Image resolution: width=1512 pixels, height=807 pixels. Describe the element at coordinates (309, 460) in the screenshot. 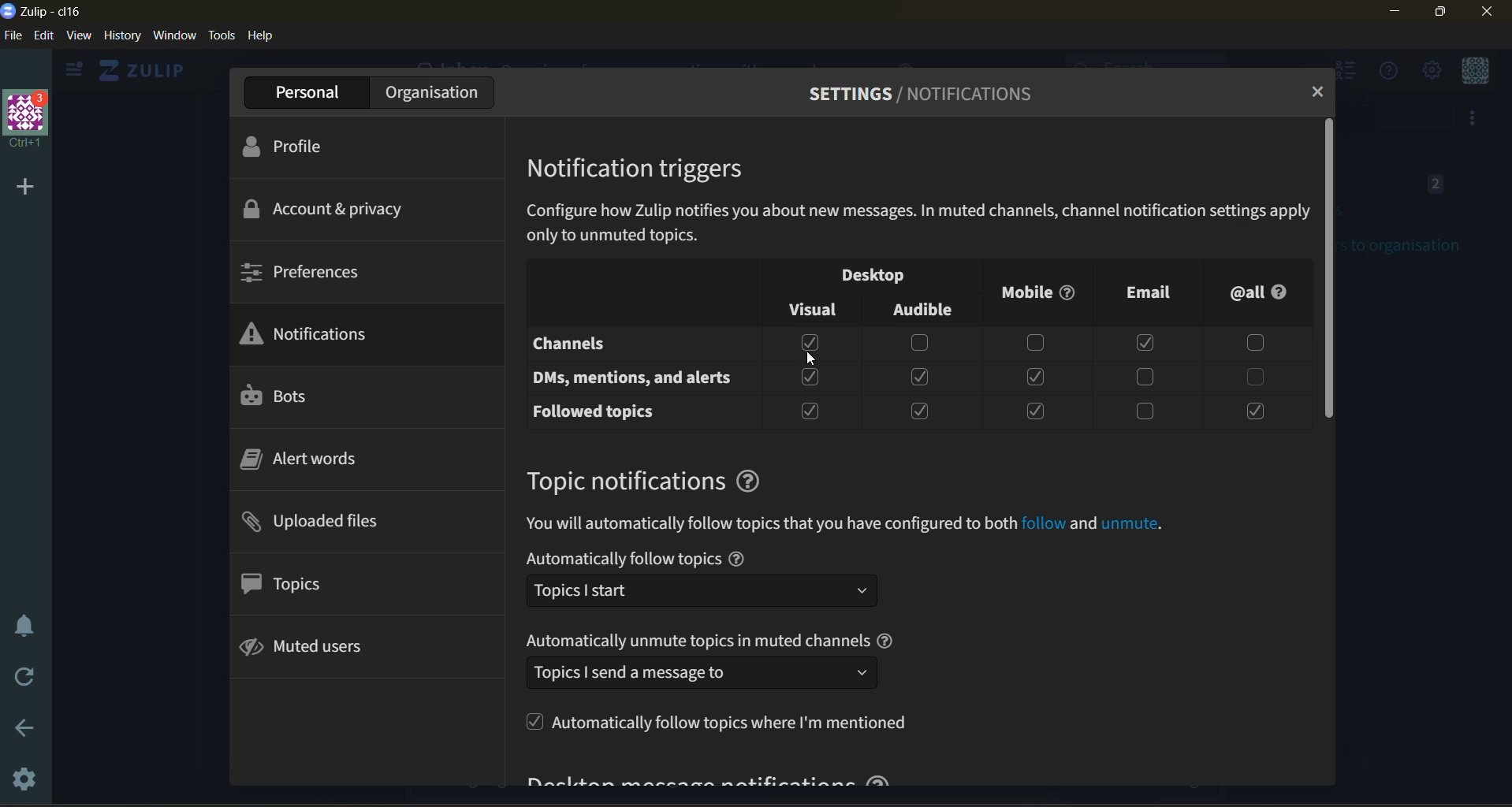

I see `alert words` at that location.